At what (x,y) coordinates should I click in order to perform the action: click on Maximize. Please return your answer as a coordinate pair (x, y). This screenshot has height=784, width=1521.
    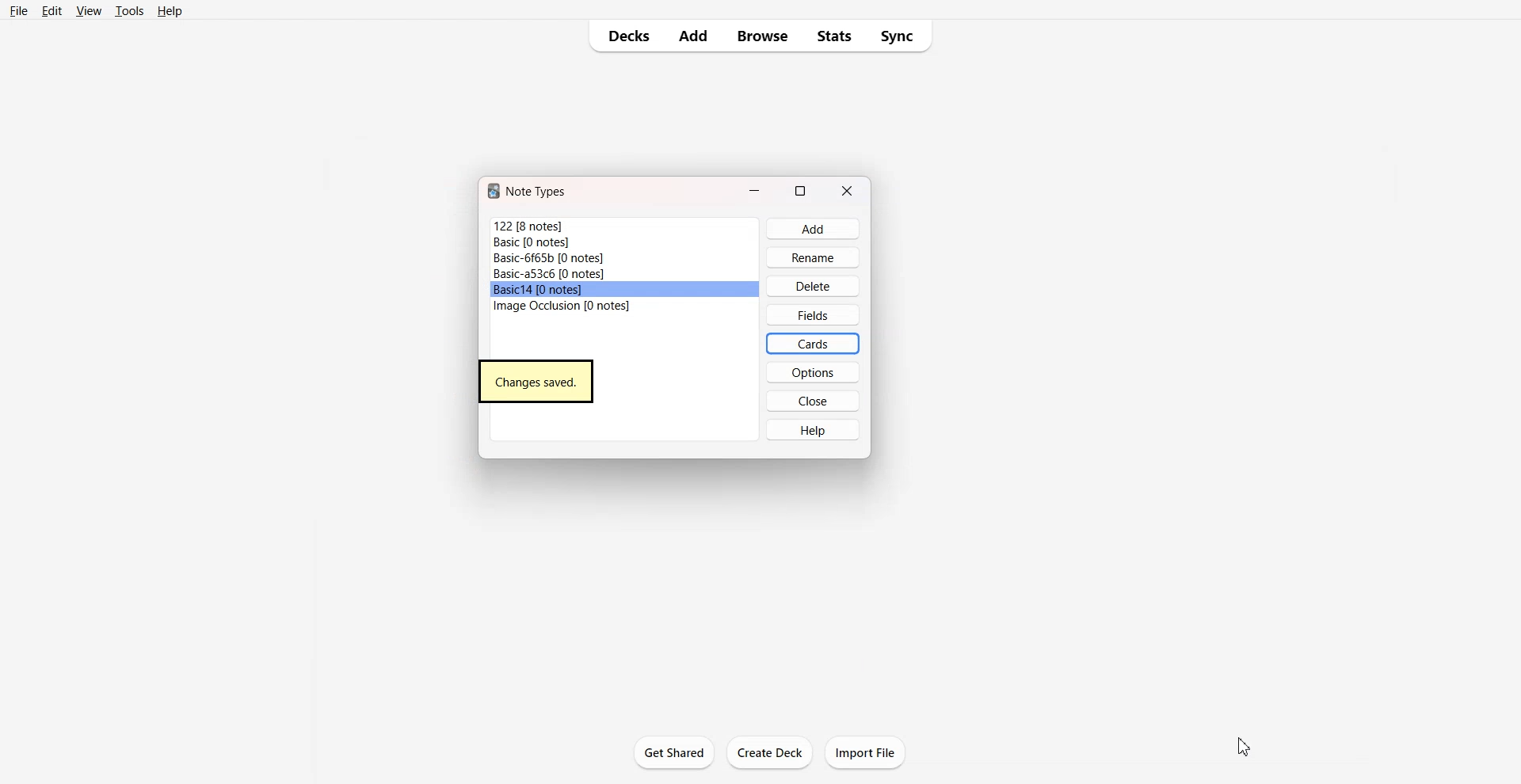
    Looking at the image, I should click on (801, 189).